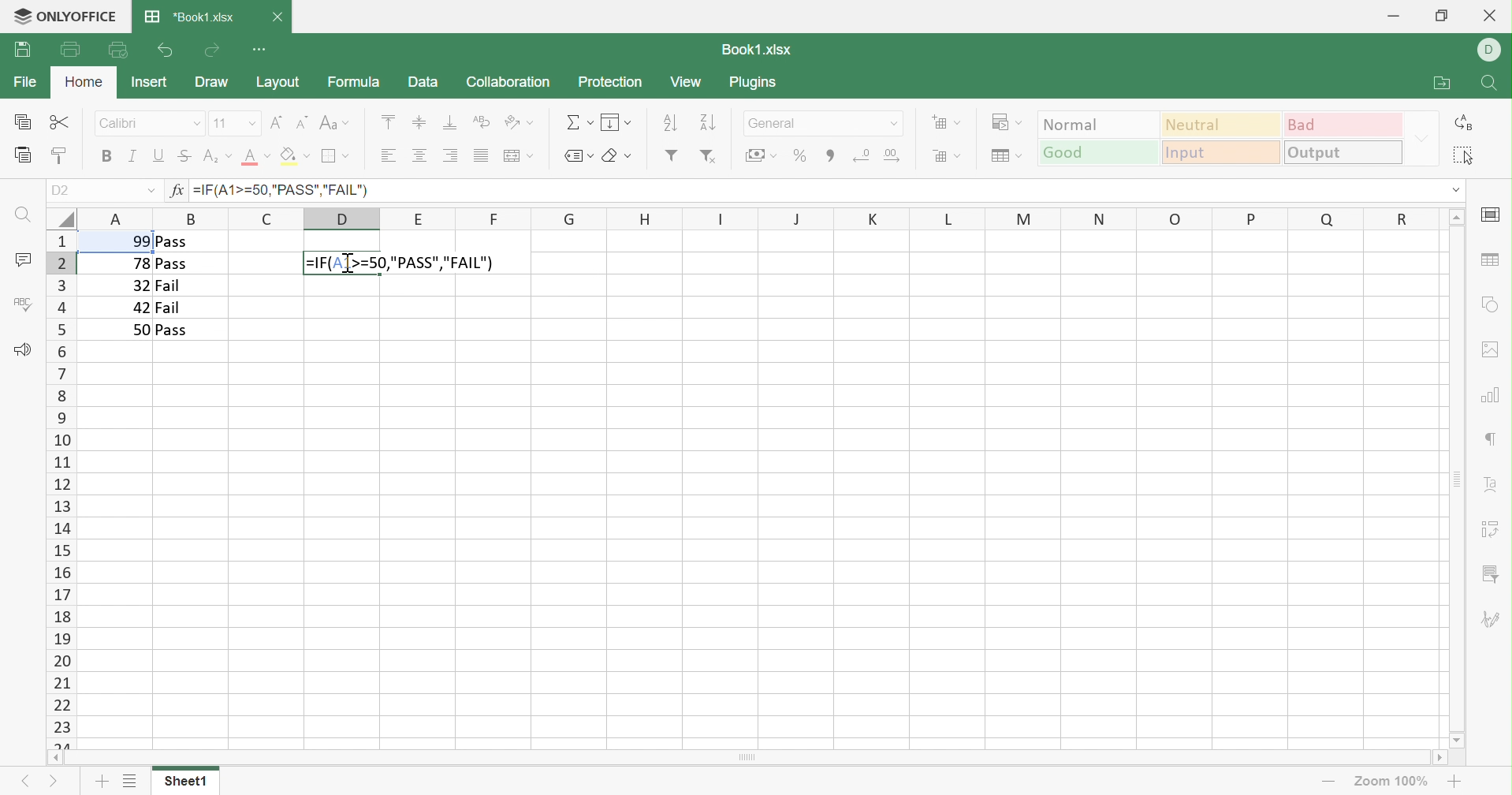 The image size is (1512, 795). What do you see at coordinates (709, 122) in the screenshot?
I see `Sort descending` at bounding box center [709, 122].